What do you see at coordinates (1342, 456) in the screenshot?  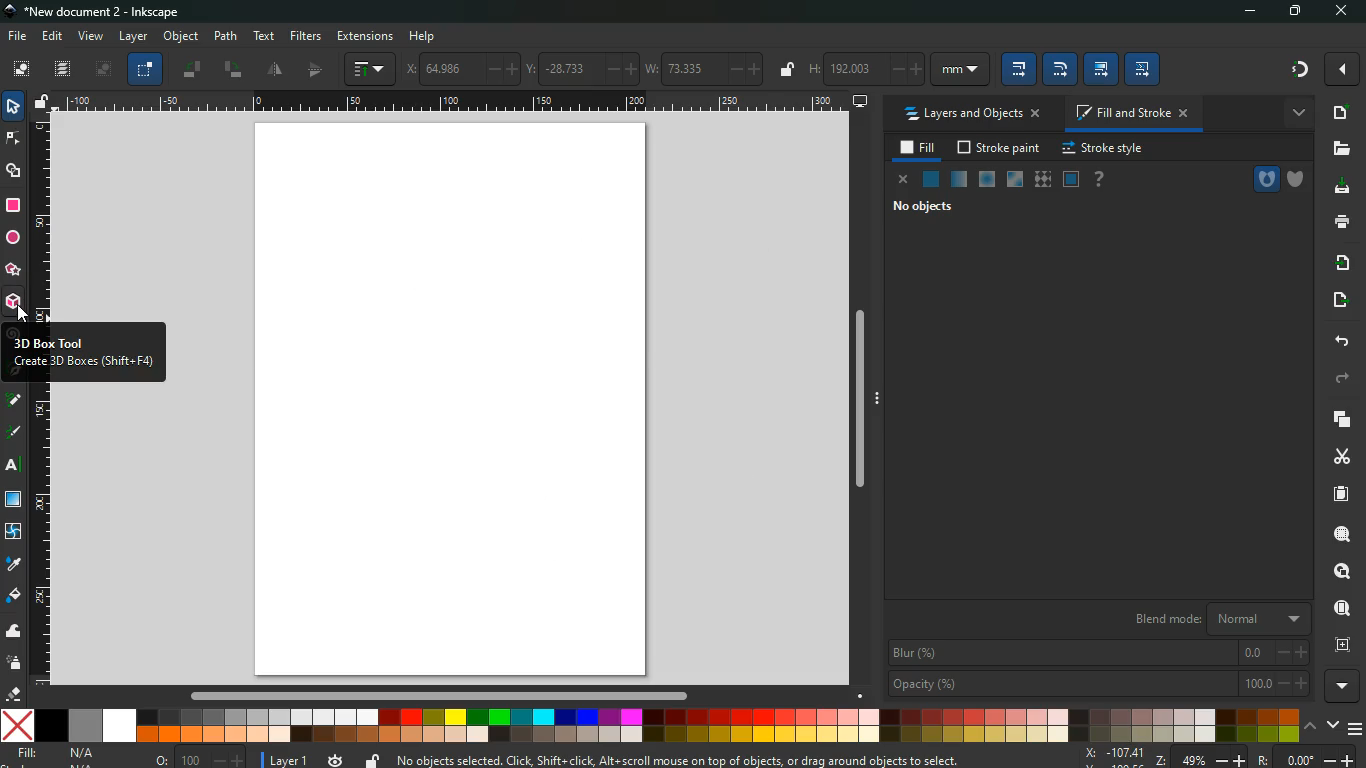 I see `cut` at bounding box center [1342, 456].